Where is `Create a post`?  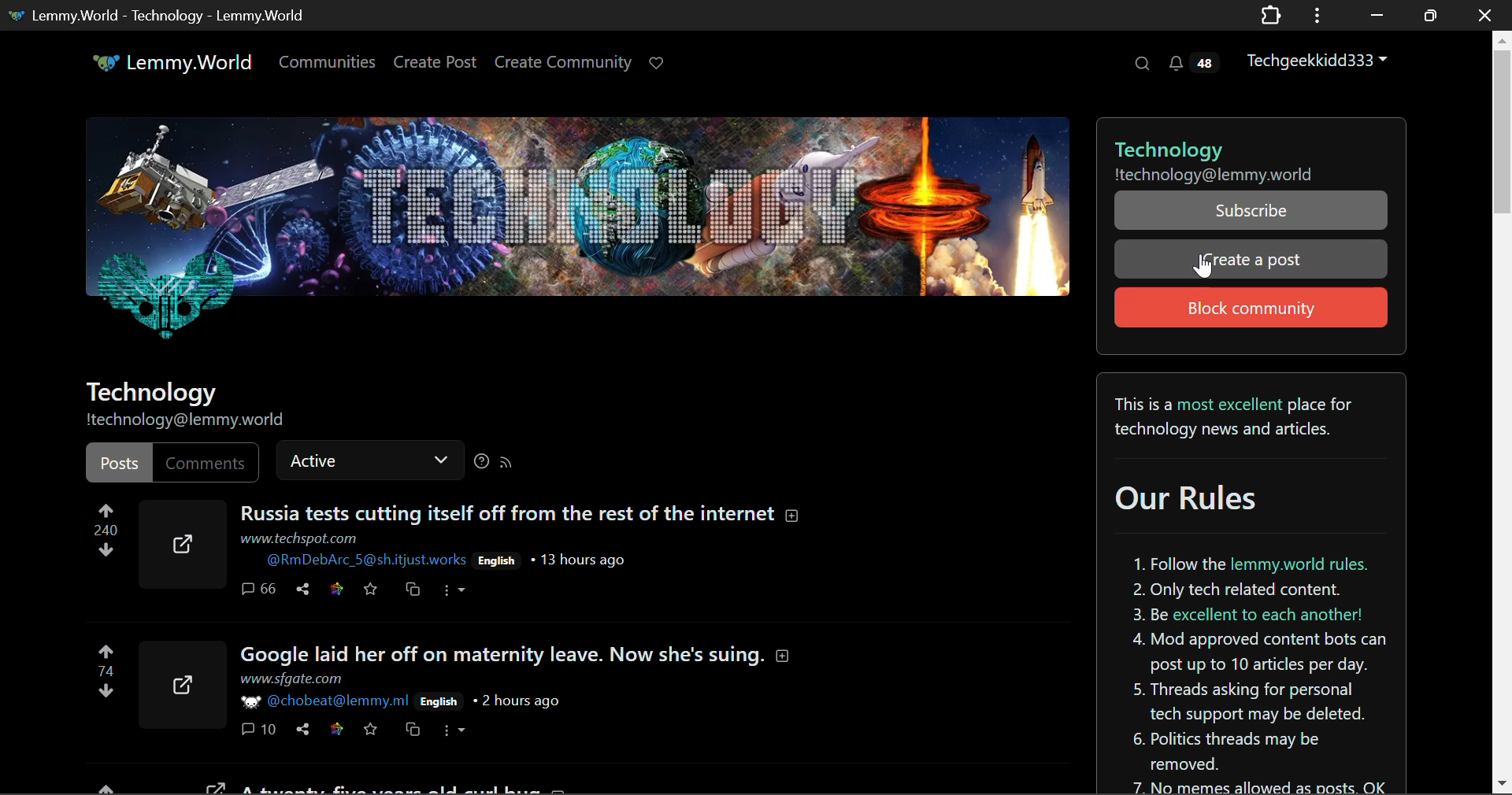
Create a post is located at coordinates (1251, 261).